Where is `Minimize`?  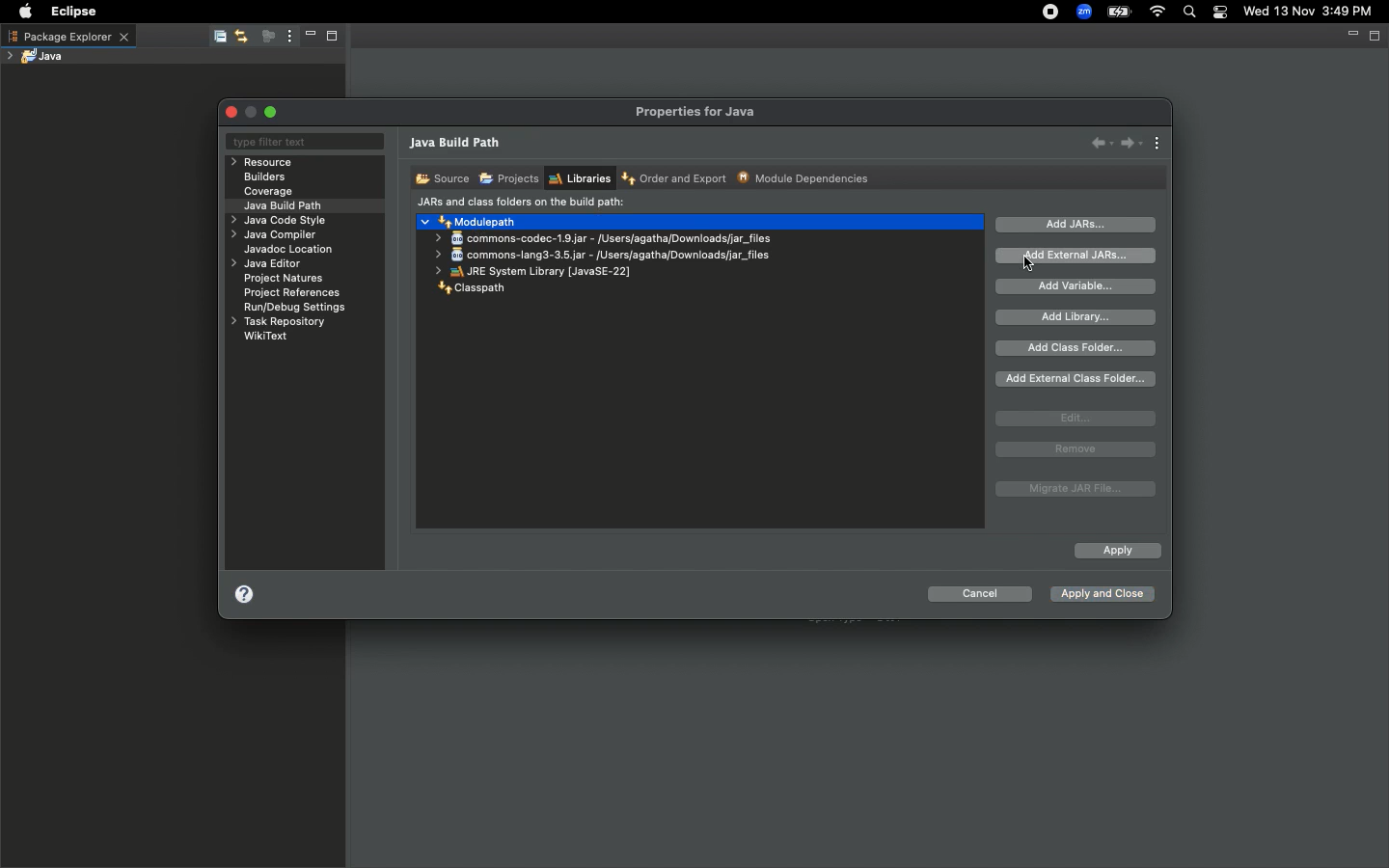 Minimize is located at coordinates (1350, 38).